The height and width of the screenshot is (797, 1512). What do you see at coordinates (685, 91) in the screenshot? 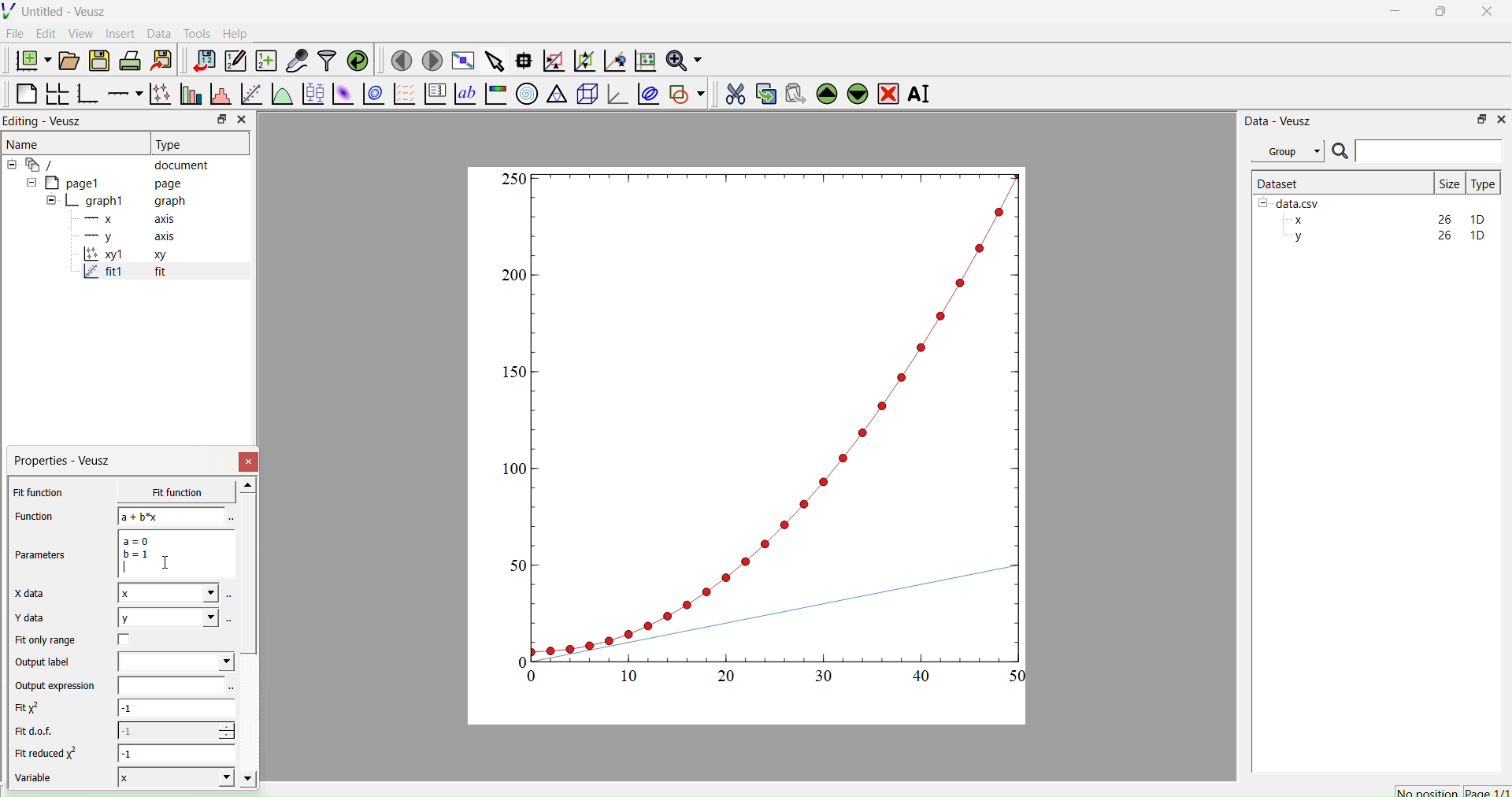
I see `Add Shape` at bounding box center [685, 91].